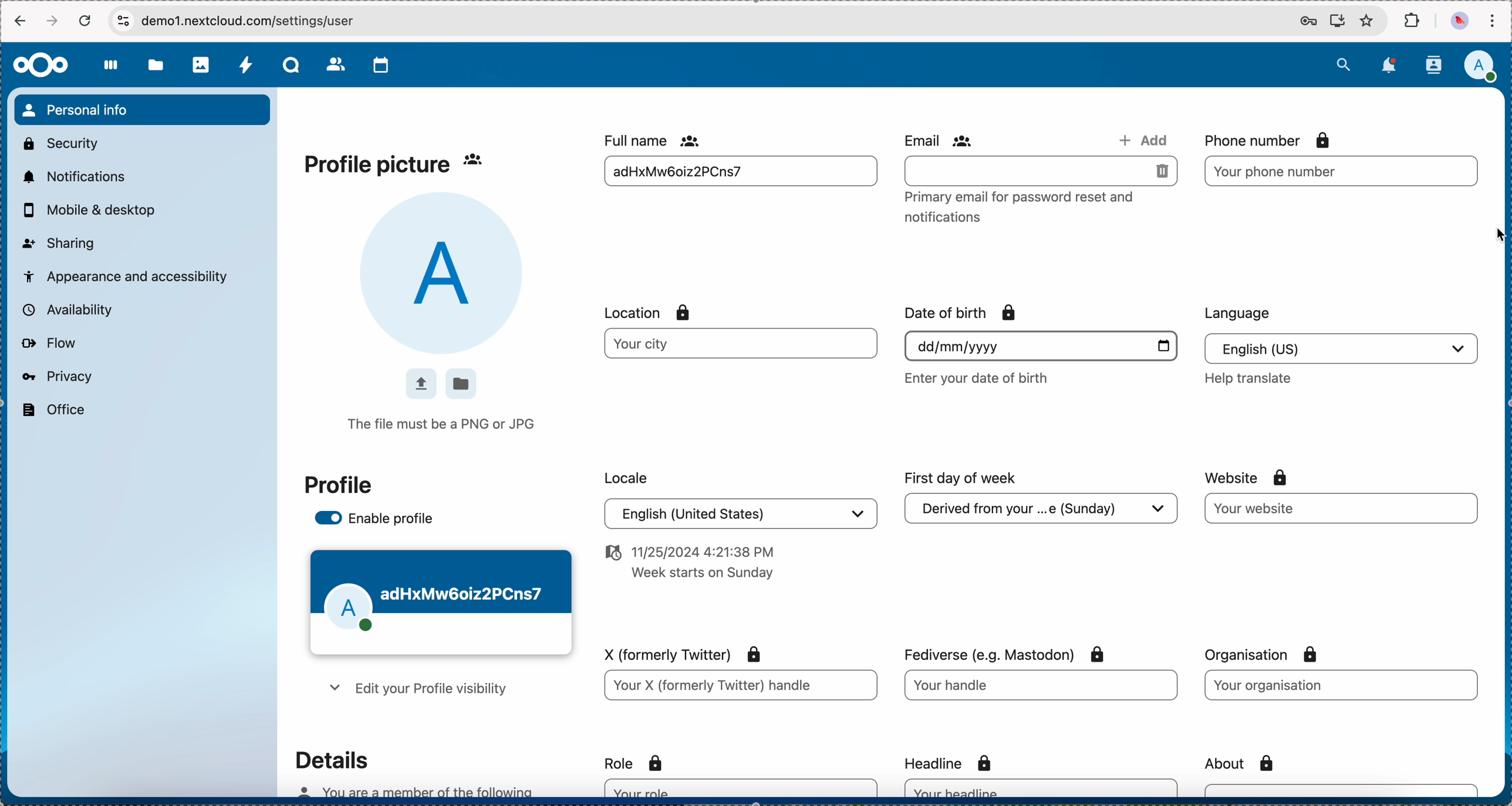 This screenshot has height=806, width=1512. What do you see at coordinates (691, 562) in the screenshot?
I see `note` at bounding box center [691, 562].